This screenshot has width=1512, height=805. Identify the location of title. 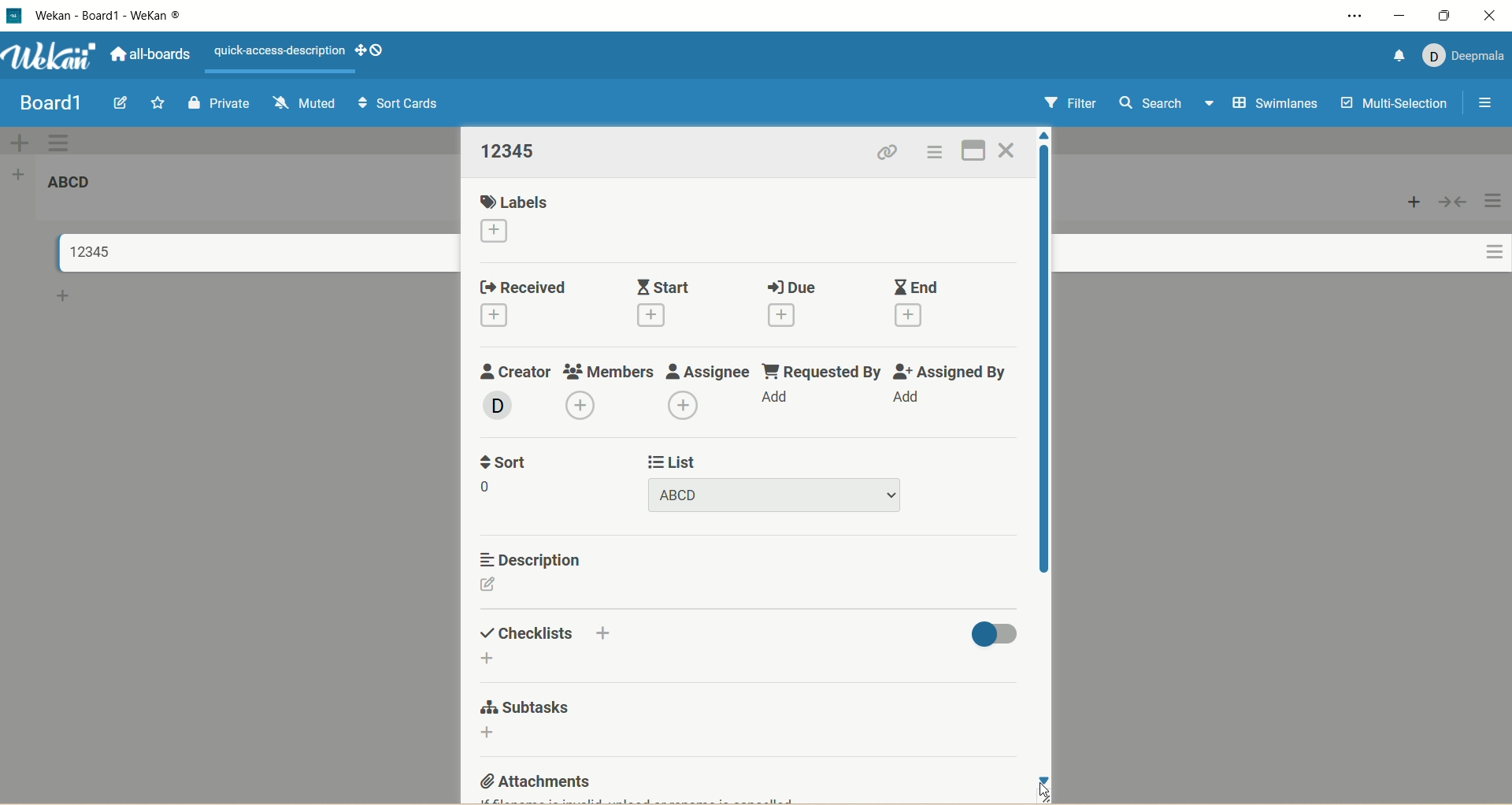
(136, 16).